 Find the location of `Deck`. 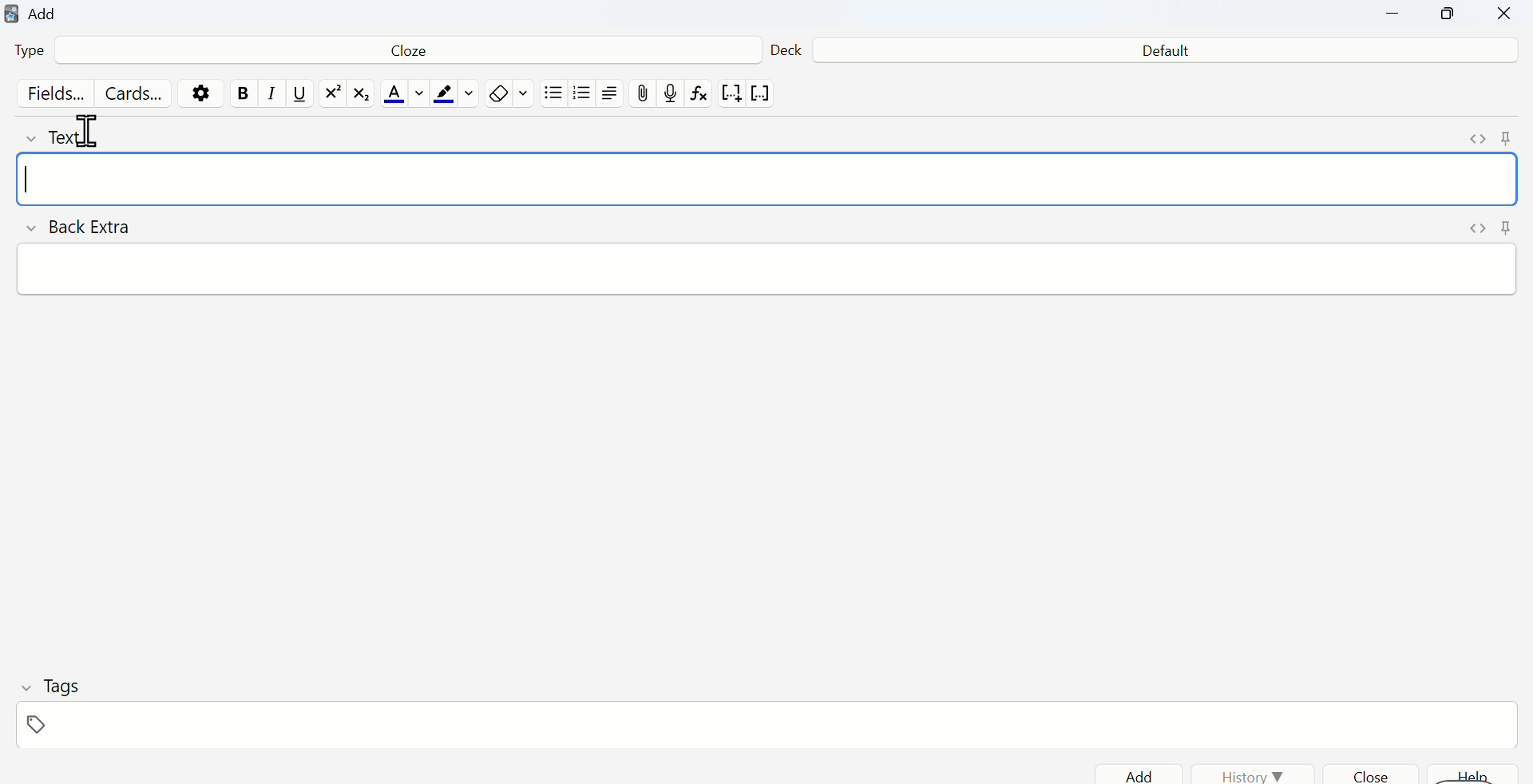

Deck is located at coordinates (786, 47).